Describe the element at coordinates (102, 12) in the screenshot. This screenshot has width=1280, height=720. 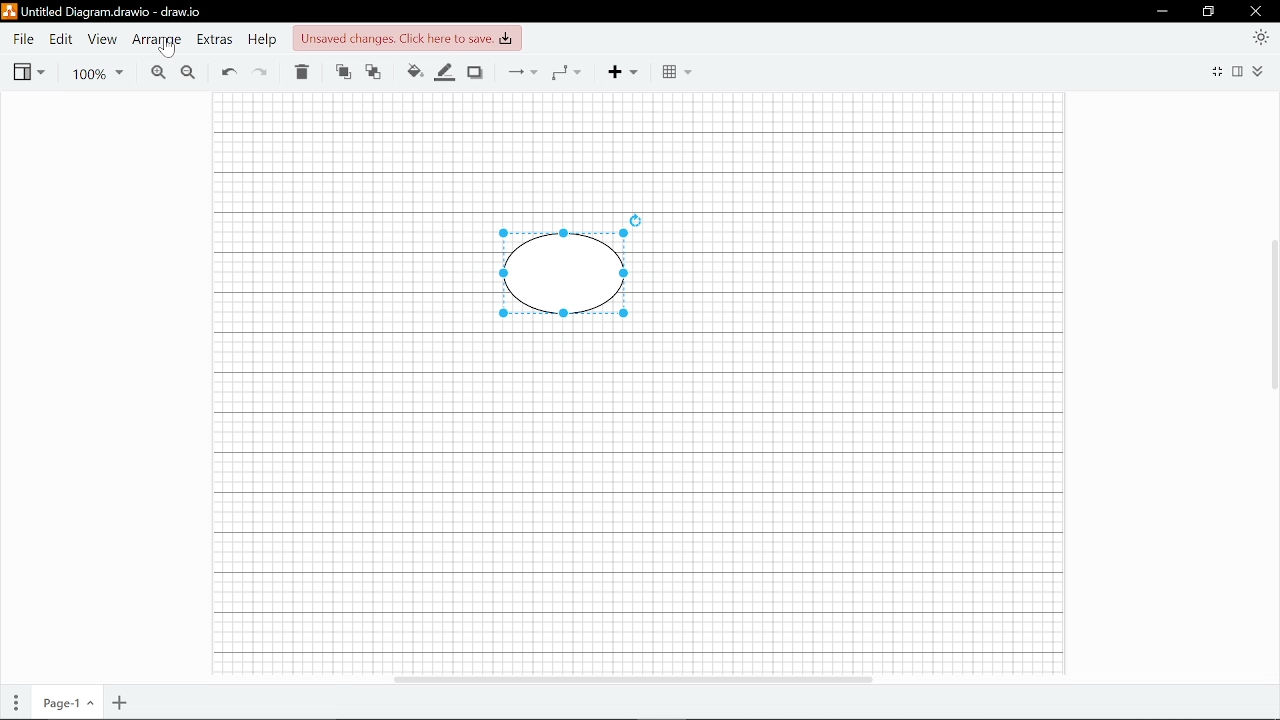
I see `Current window` at that location.